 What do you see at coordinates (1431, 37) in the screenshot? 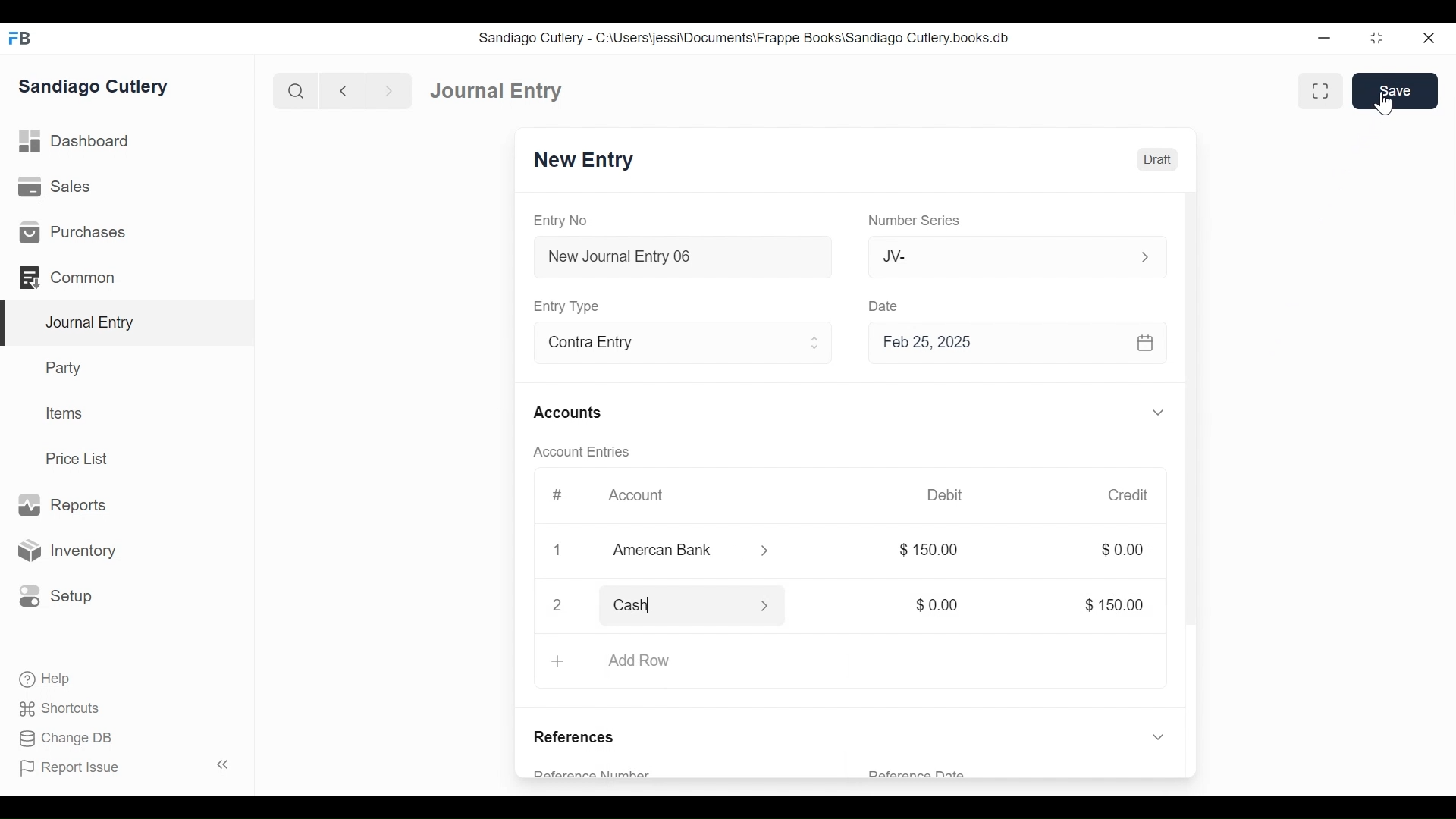
I see `Close` at bounding box center [1431, 37].